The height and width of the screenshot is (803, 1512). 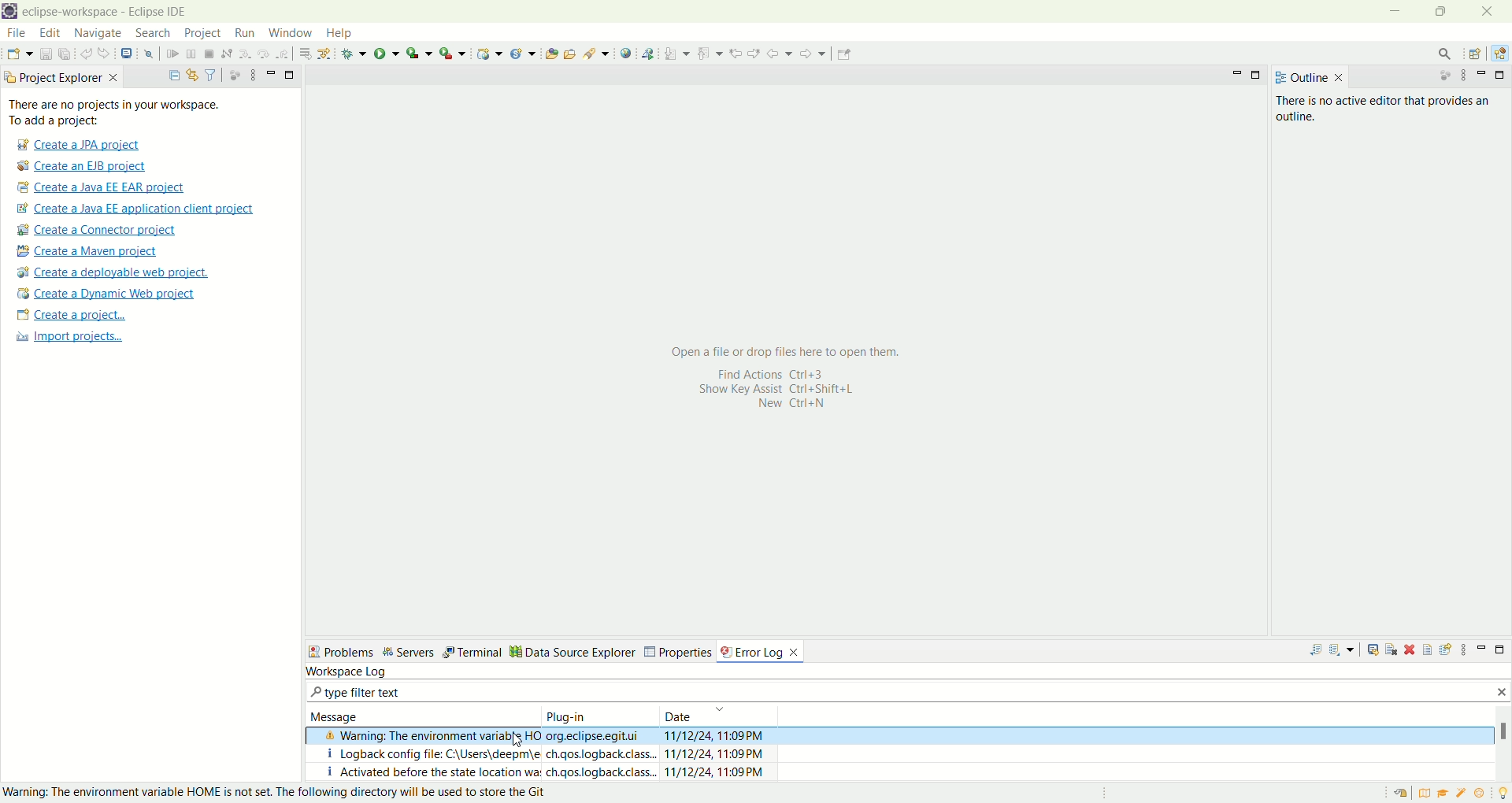 What do you see at coordinates (523, 53) in the screenshot?
I see `create a new Java servlet` at bounding box center [523, 53].